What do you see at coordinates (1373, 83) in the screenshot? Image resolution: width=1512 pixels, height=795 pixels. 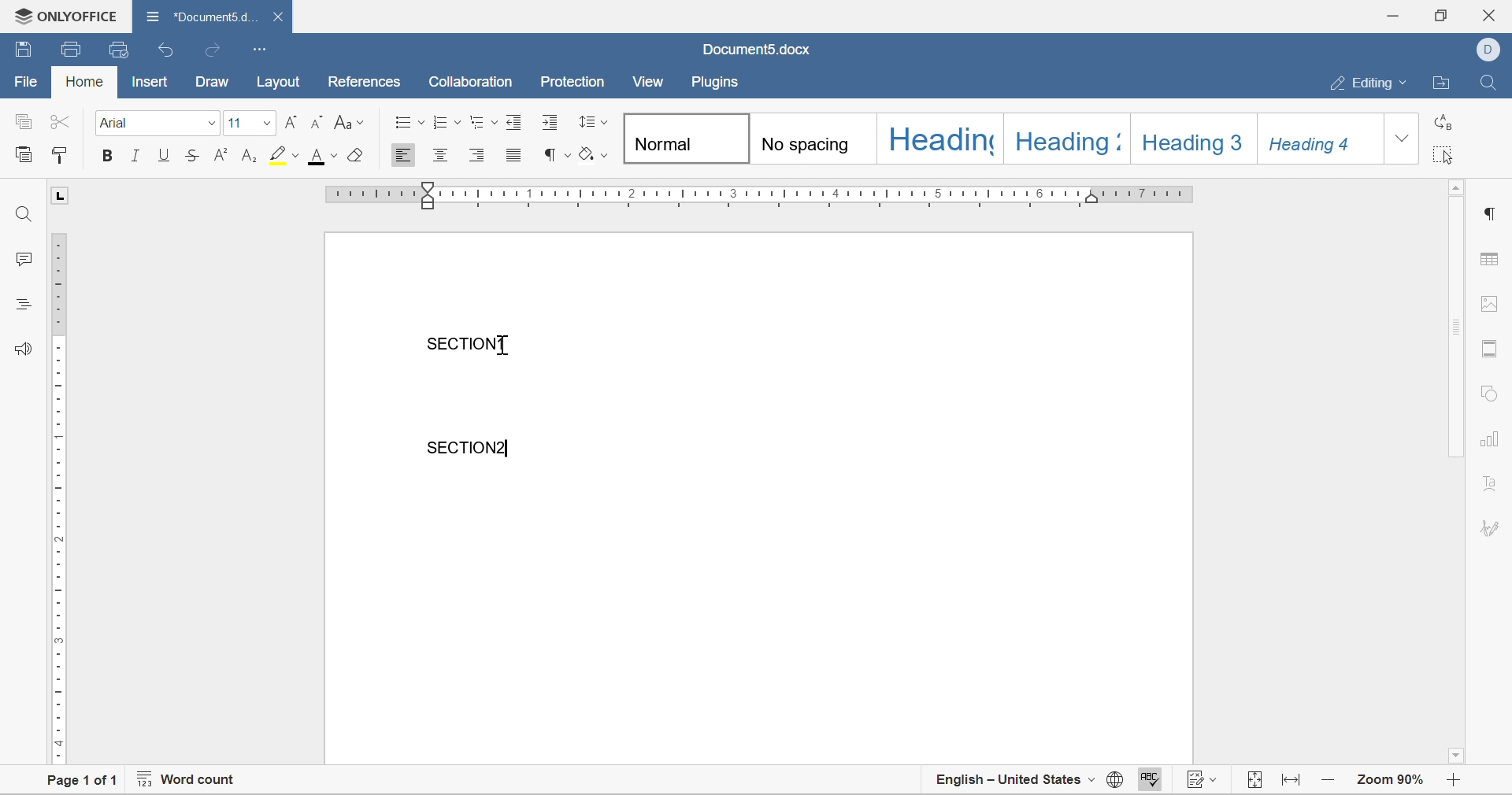 I see `editing` at bounding box center [1373, 83].